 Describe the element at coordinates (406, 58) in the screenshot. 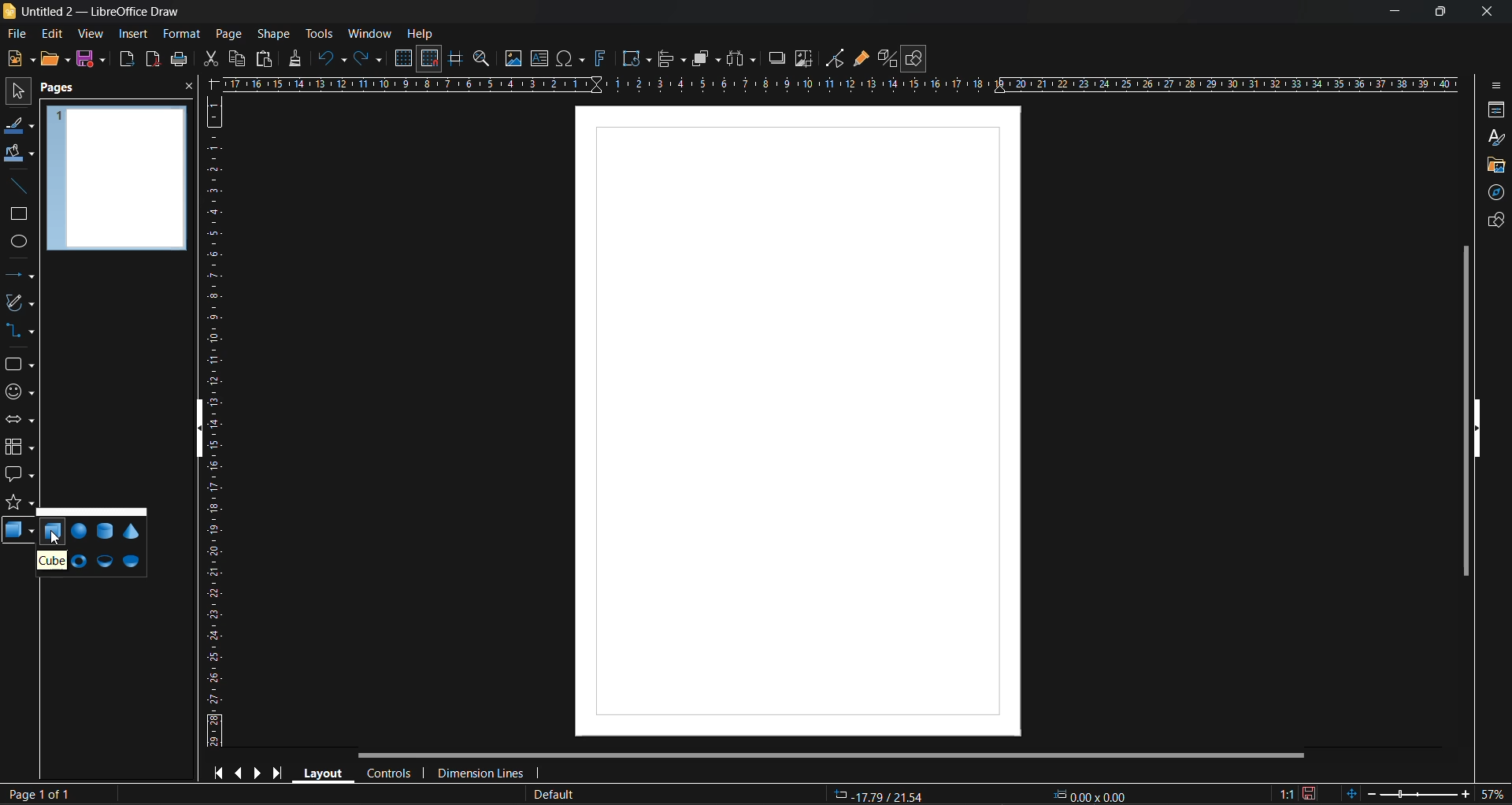

I see `display grid` at that location.